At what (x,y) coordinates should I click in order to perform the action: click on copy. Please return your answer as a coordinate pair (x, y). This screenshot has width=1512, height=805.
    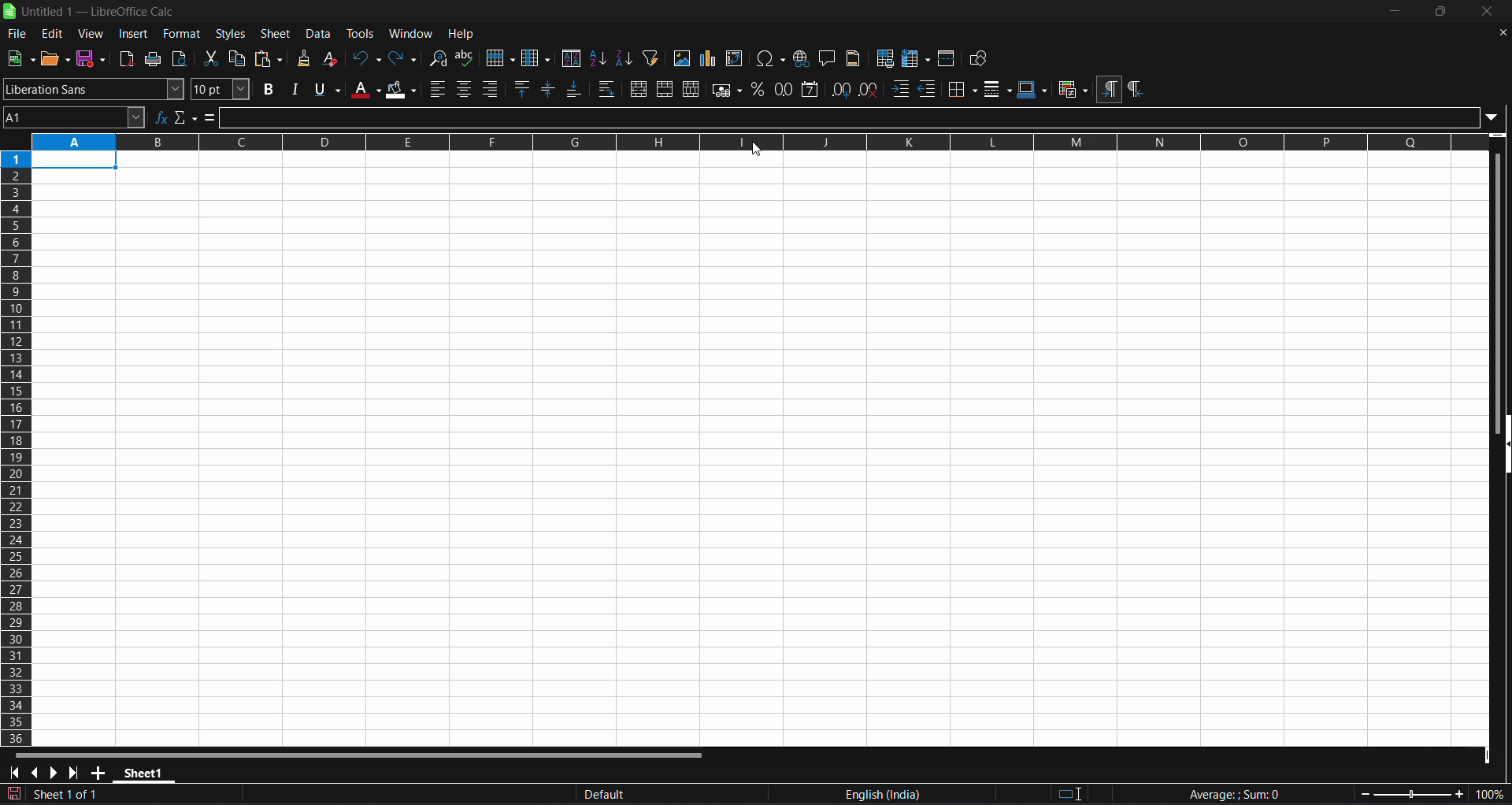
    Looking at the image, I should click on (240, 58).